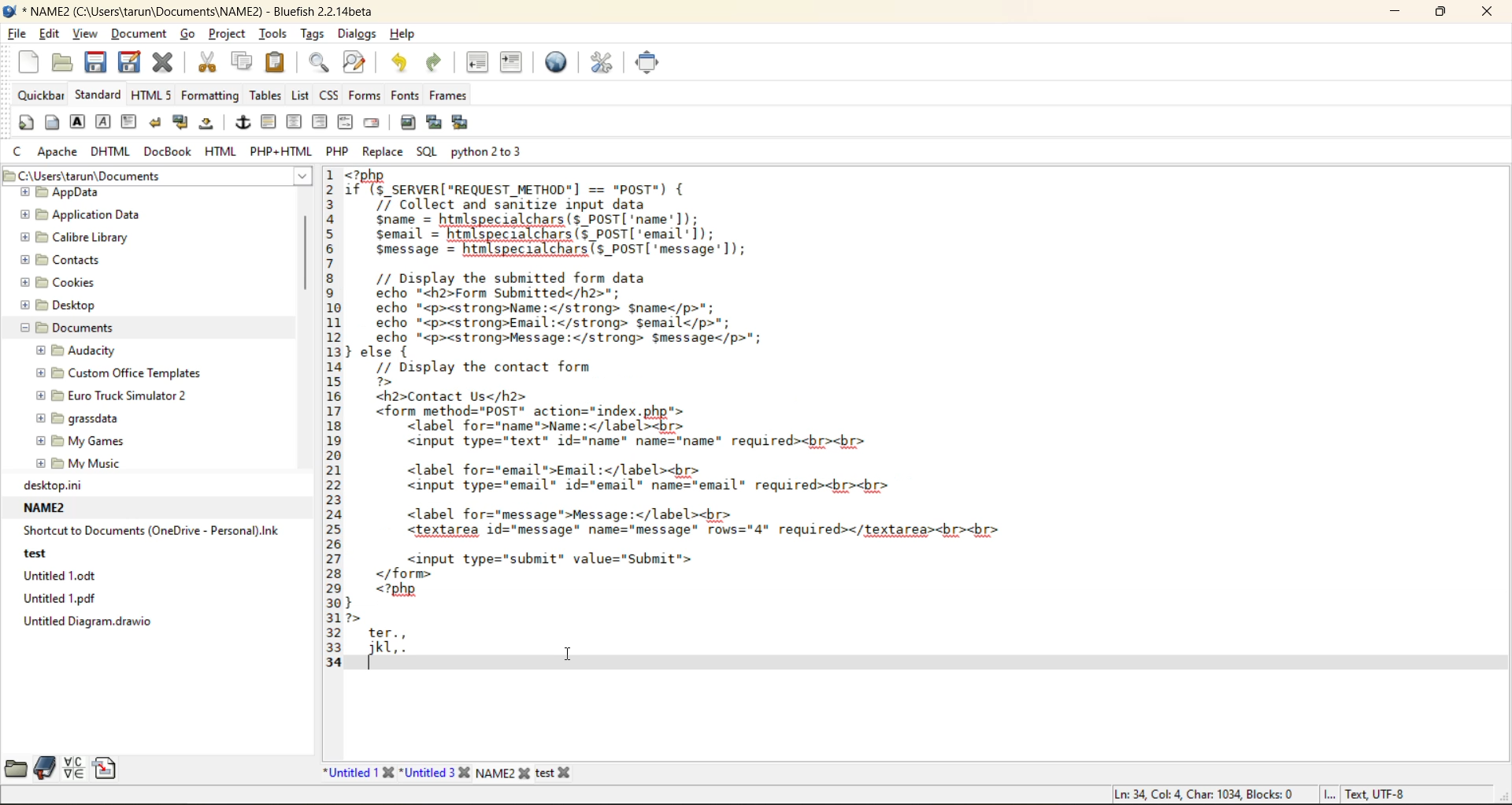 Image resolution: width=1512 pixels, height=805 pixels. I want to click on php html, so click(283, 151).